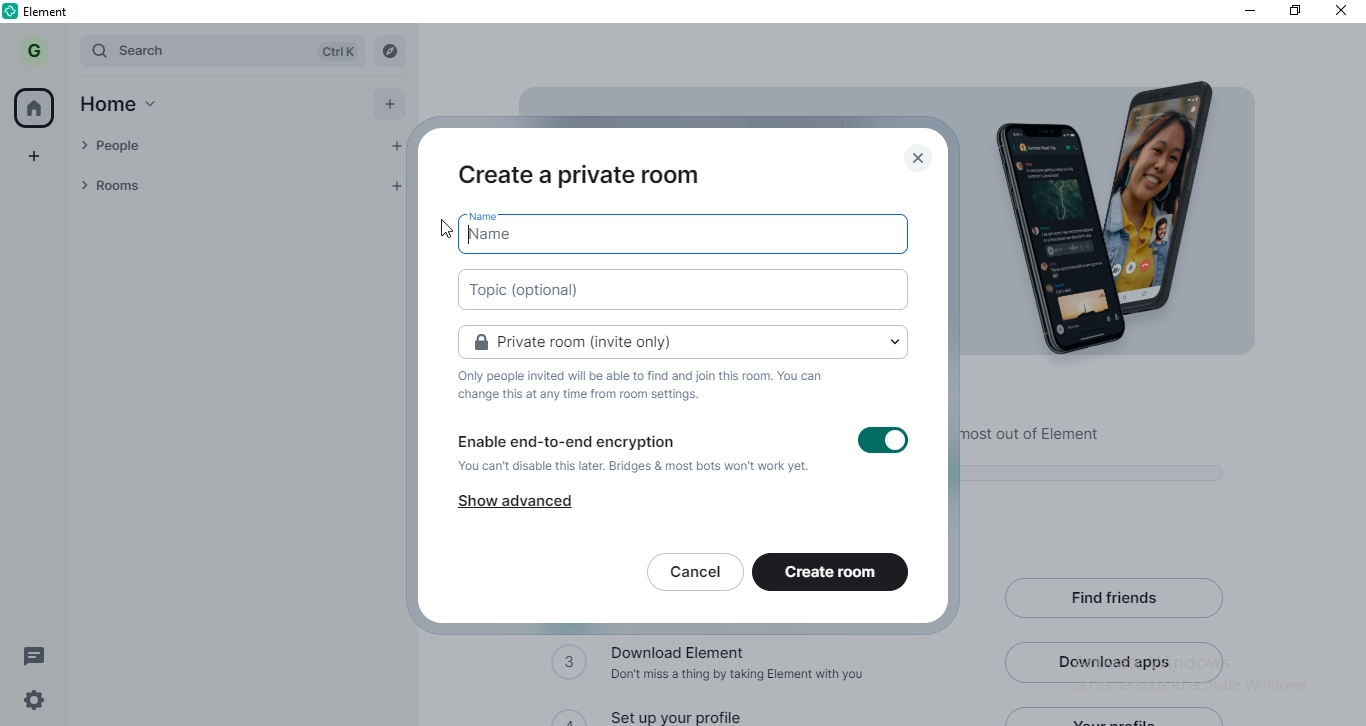 Image resolution: width=1366 pixels, height=726 pixels. I want to click on home, so click(129, 107).